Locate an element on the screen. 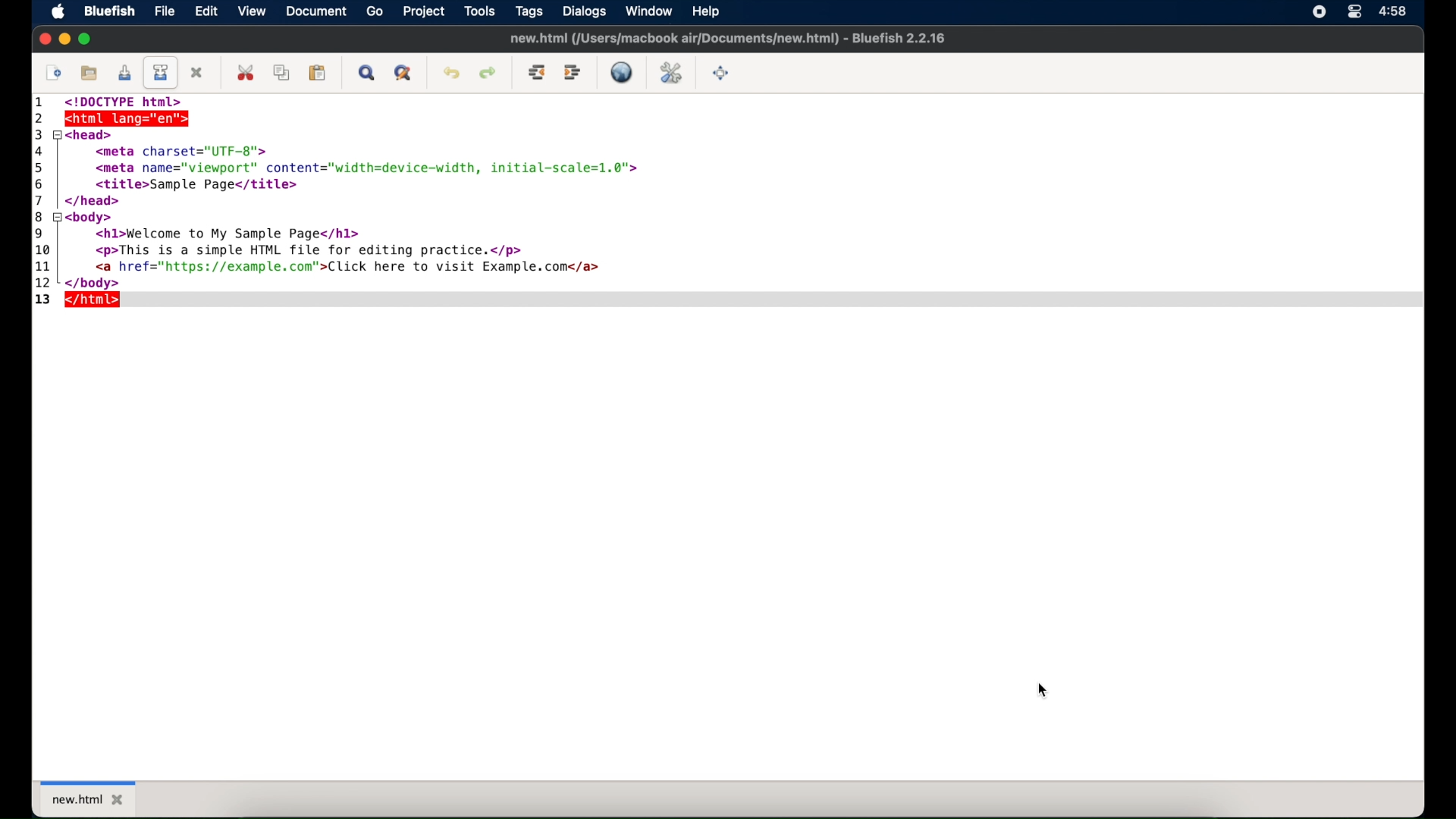  maximize is located at coordinates (86, 39).